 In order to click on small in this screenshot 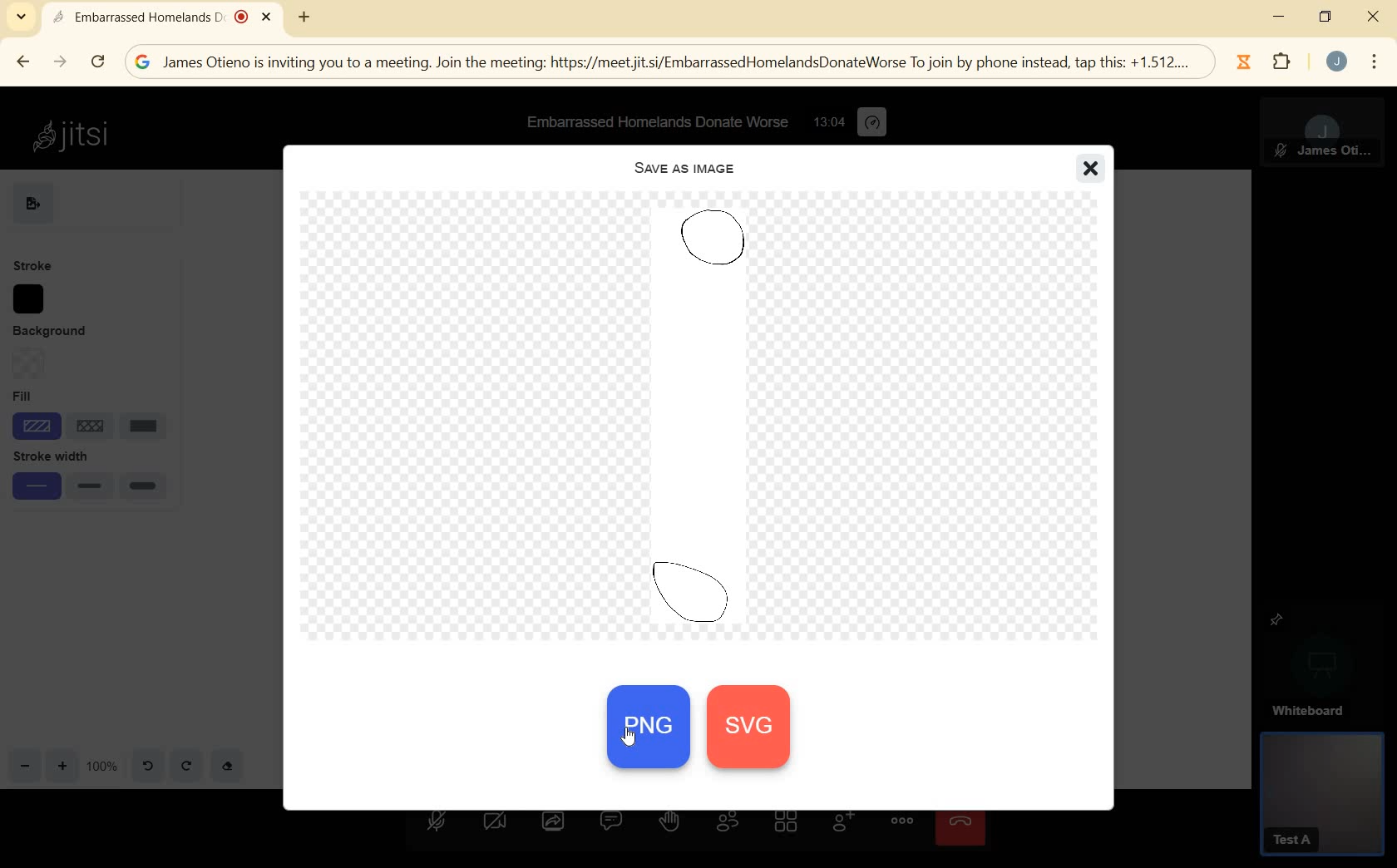, I will do `click(34, 489)`.